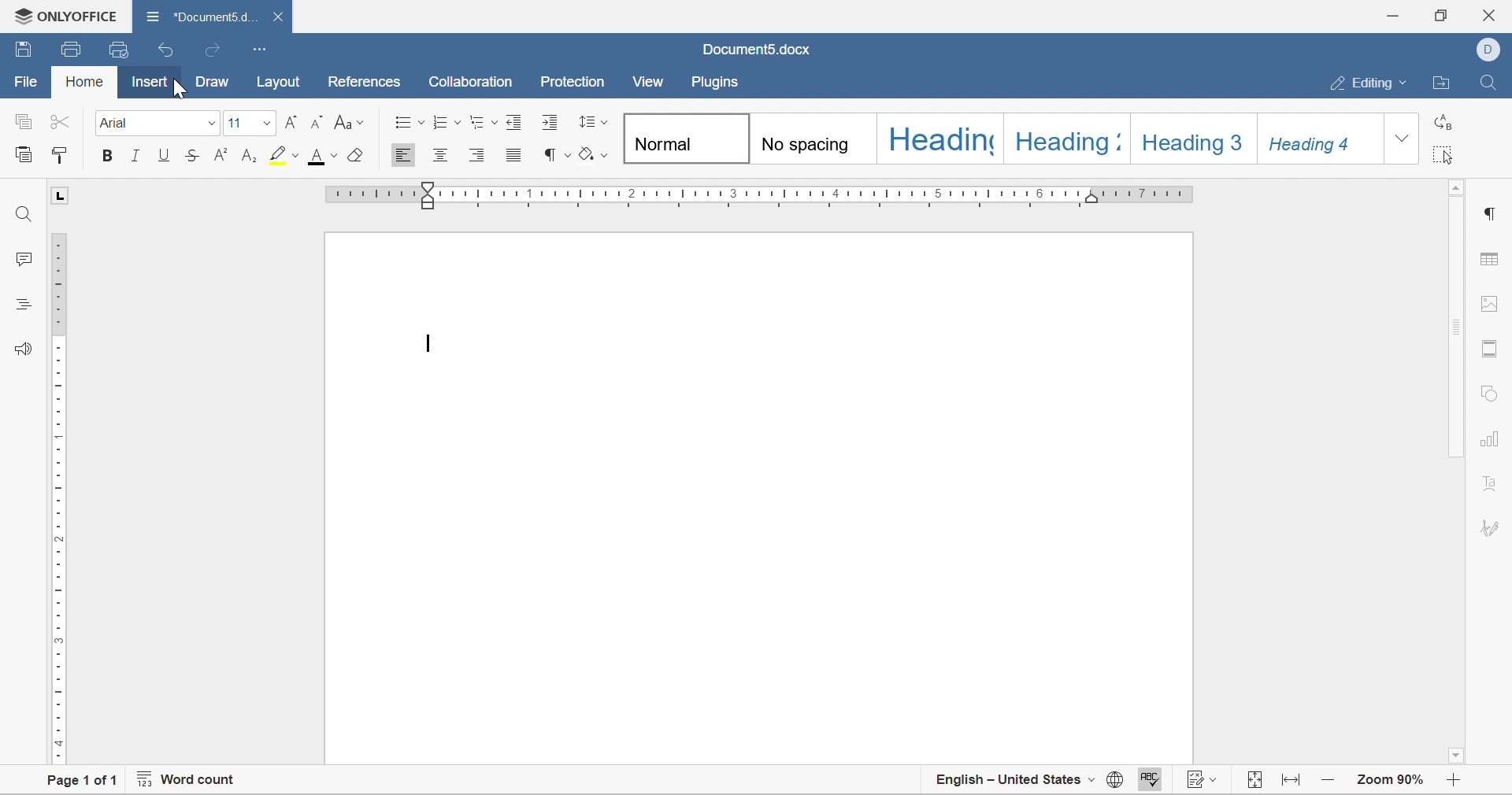  I want to click on document5d, so click(205, 14).